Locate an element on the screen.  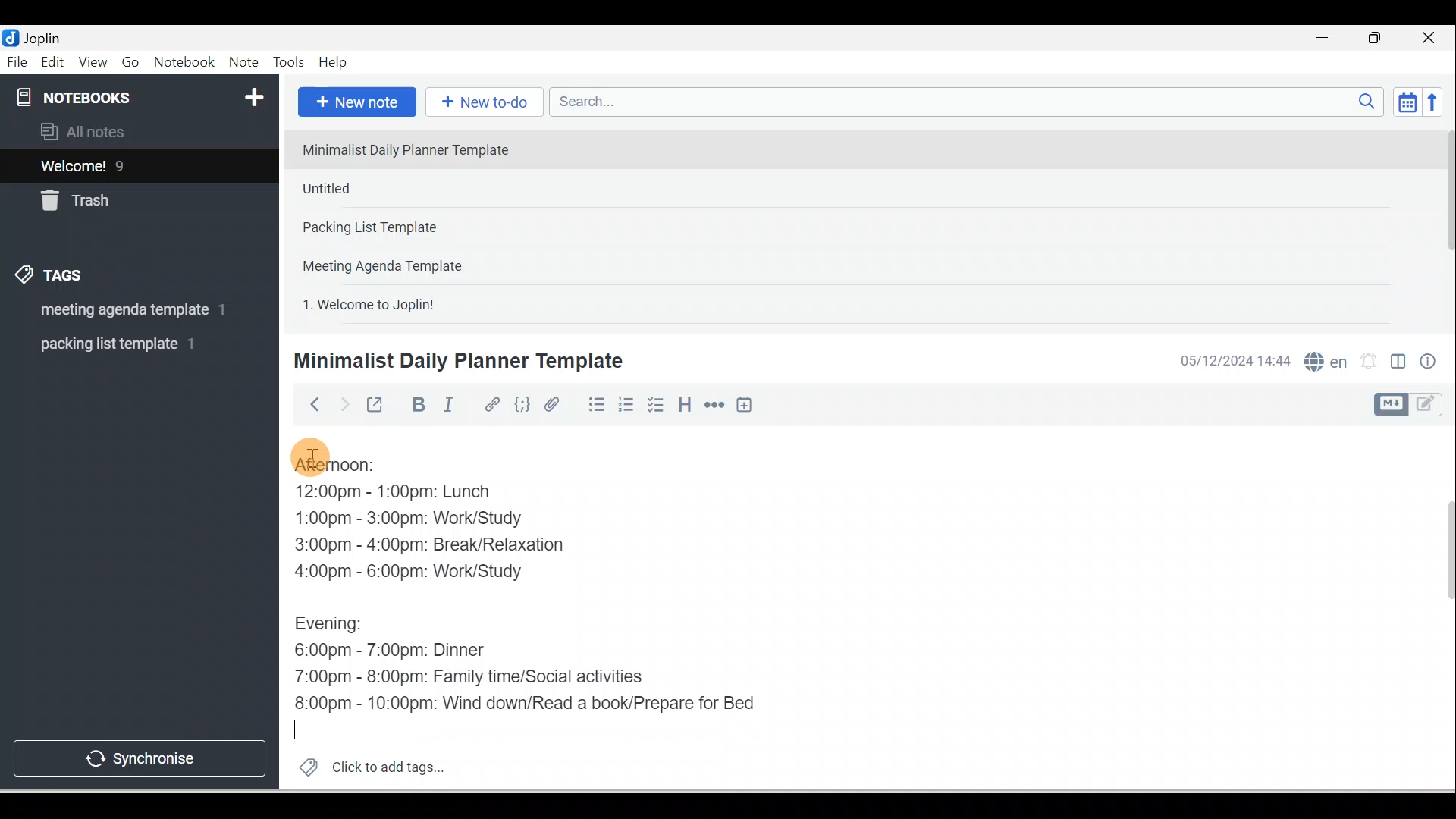
View is located at coordinates (93, 63).